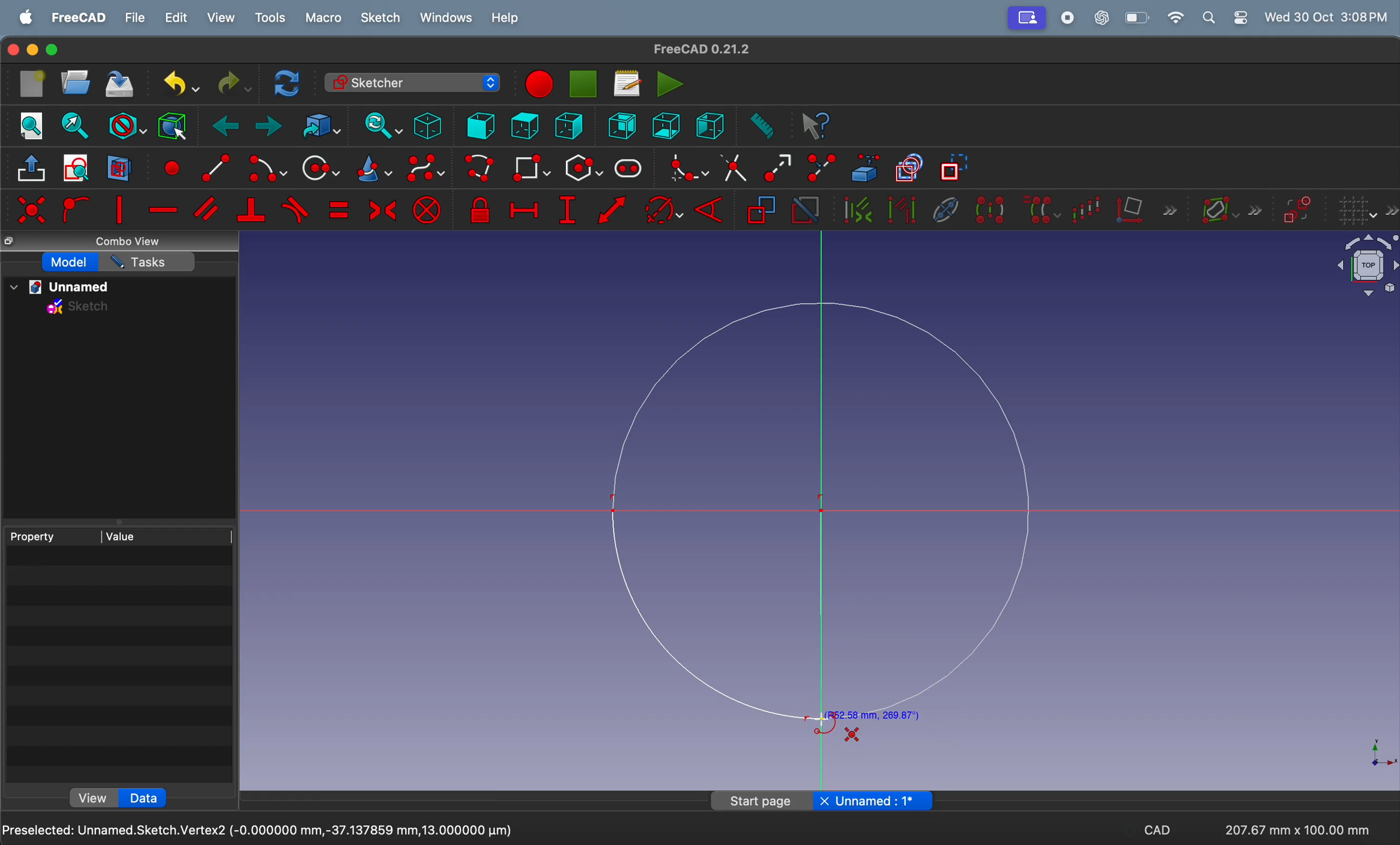  I want to click on constrain point onto arc, so click(74, 210).